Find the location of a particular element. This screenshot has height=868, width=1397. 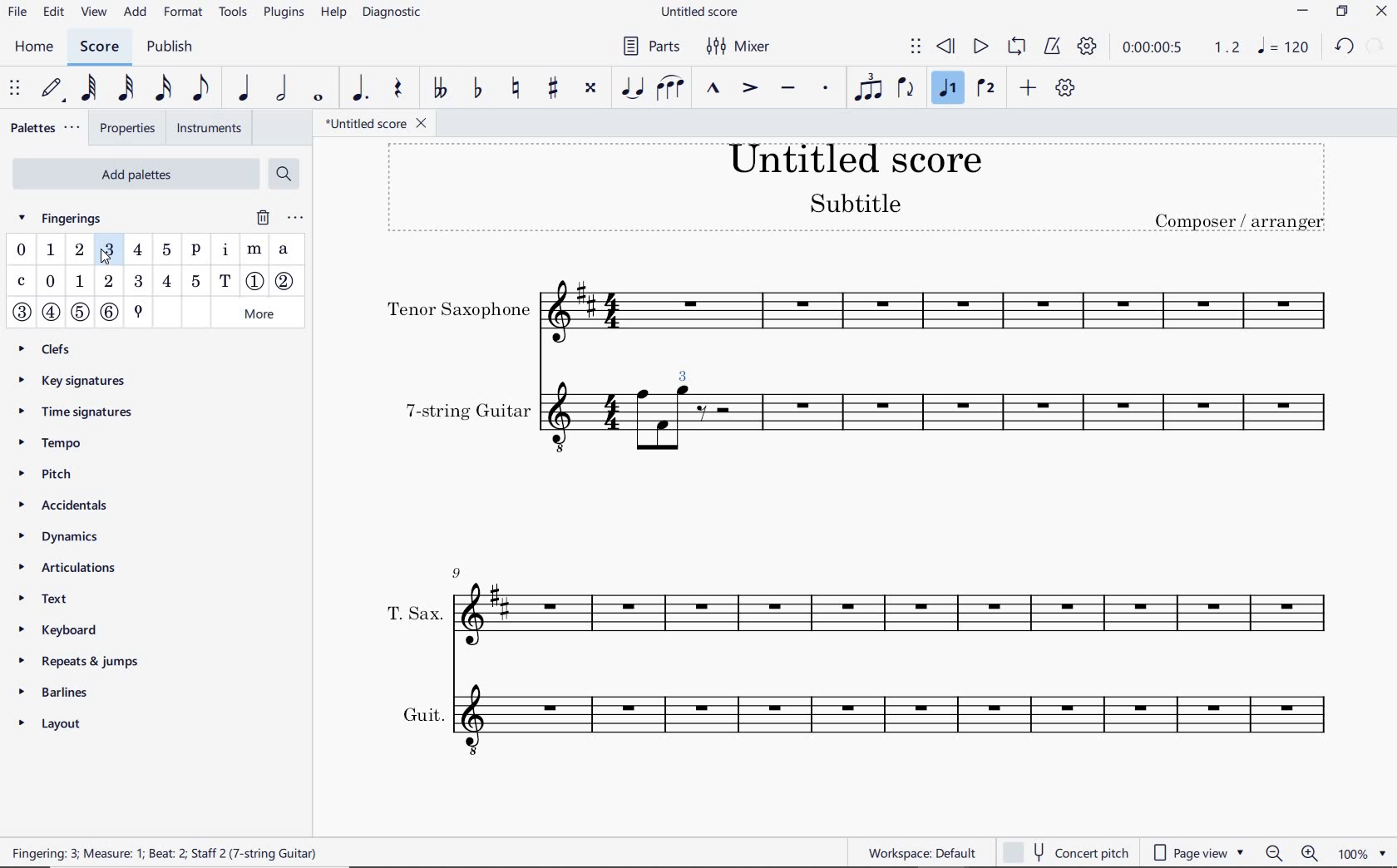

MARCATO is located at coordinates (713, 90).